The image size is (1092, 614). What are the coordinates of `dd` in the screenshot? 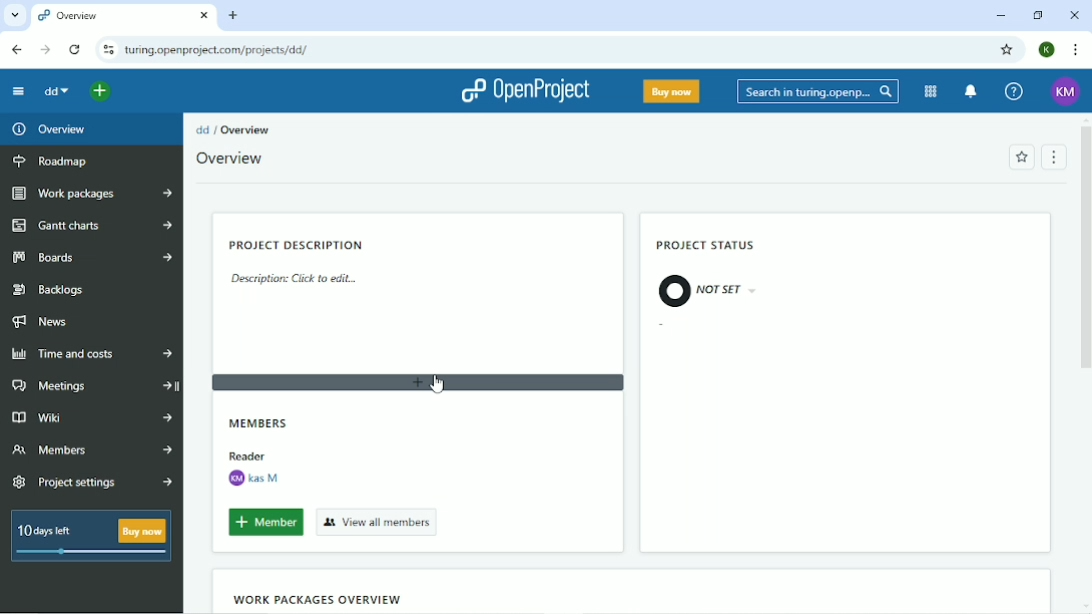 It's located at (55, 92).